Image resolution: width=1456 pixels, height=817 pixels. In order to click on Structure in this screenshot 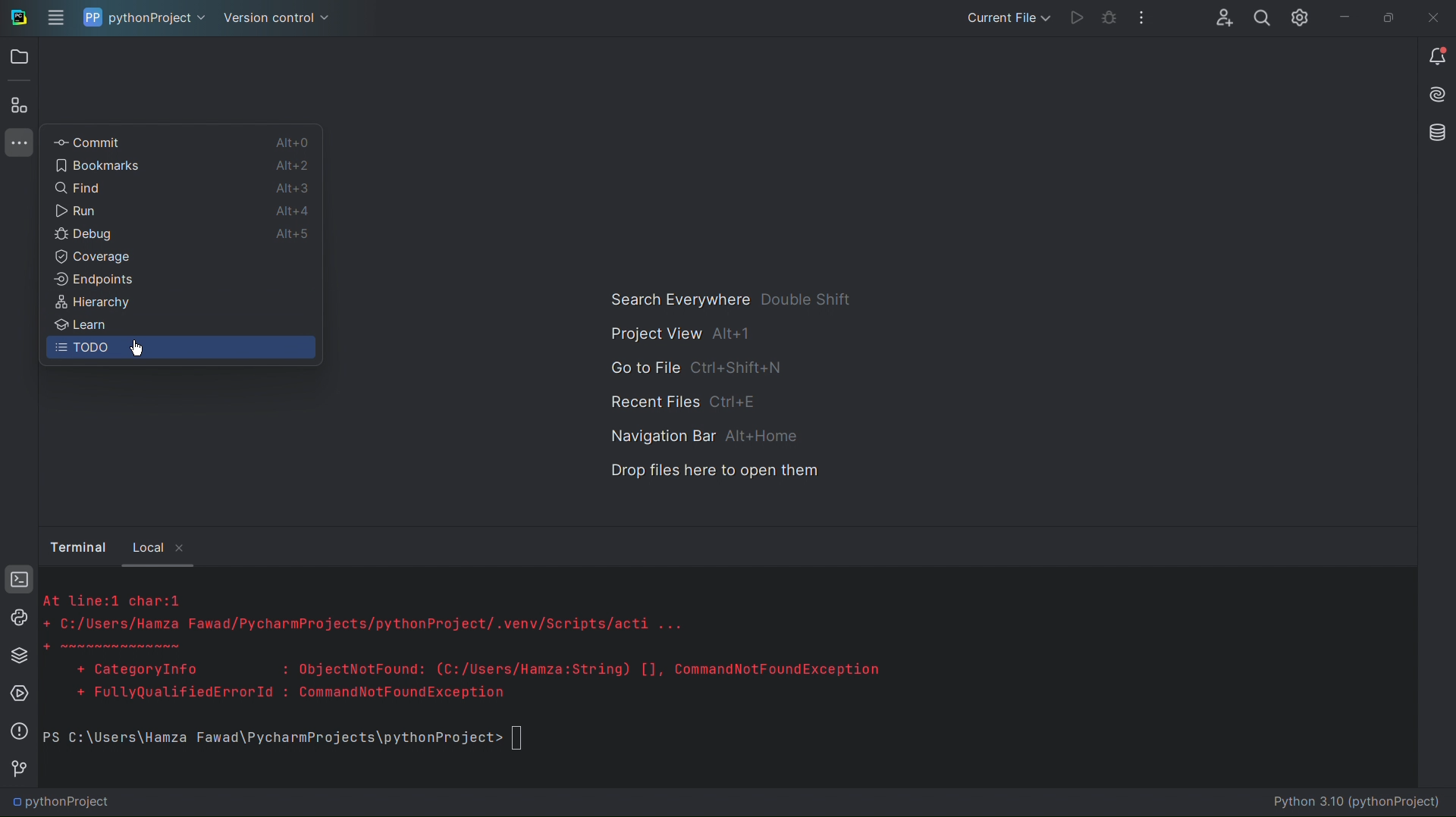, I will do `click(21, 104)`.